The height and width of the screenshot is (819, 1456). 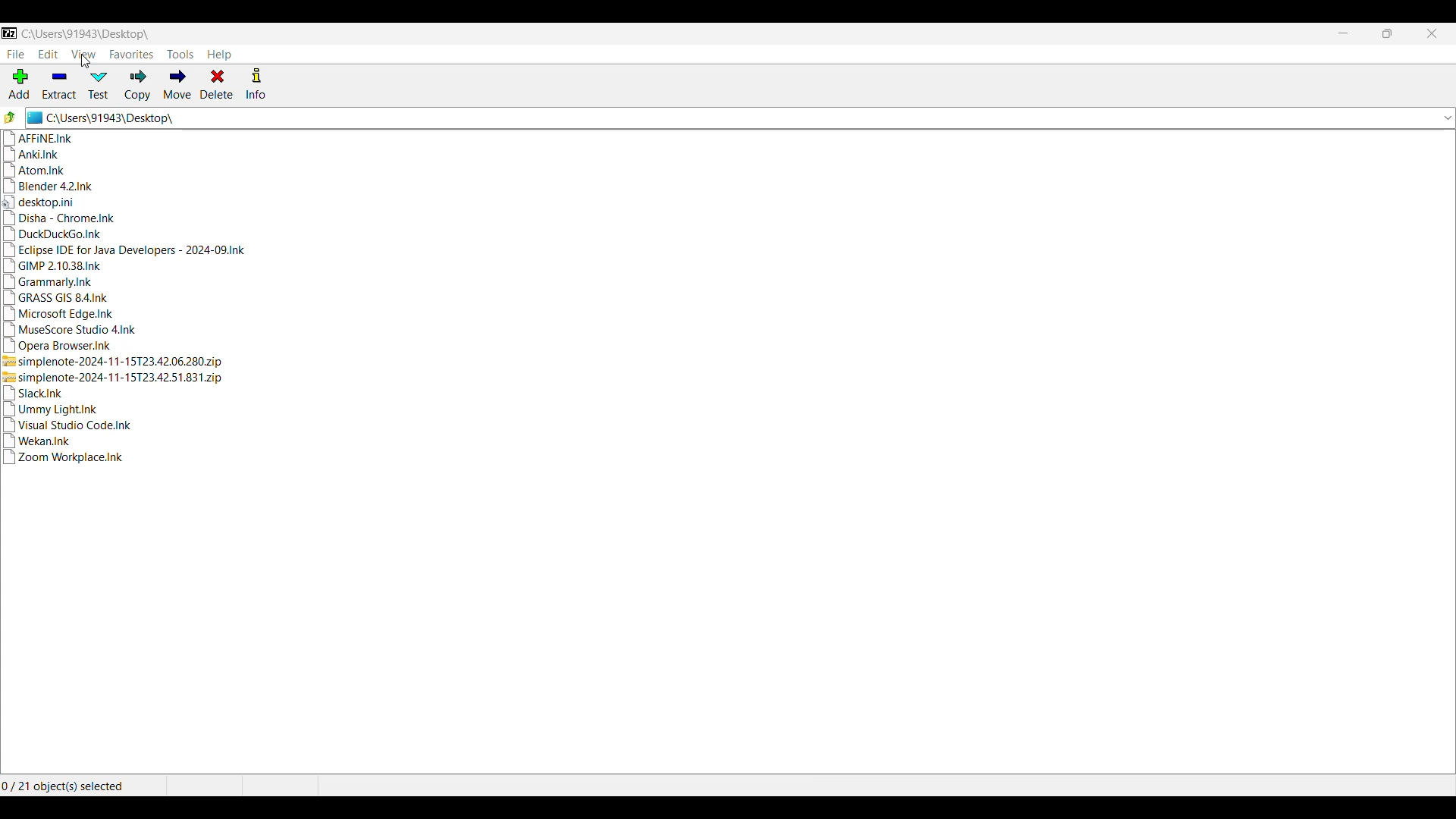 What do you see at coordinates (59, 86) in the screenshot?
I see `Extract` at bounding box center [59, 86].